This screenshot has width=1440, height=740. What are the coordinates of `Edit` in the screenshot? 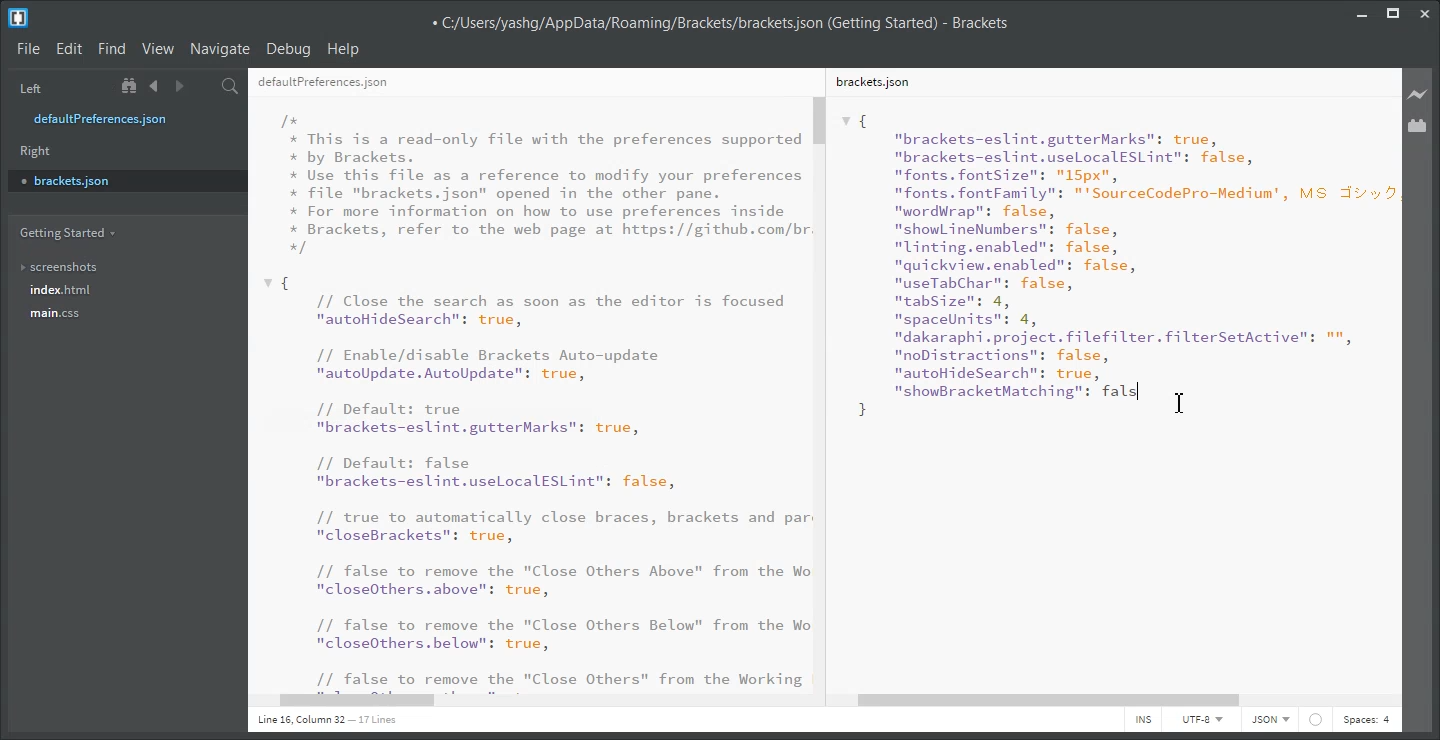 It's located at (69, 49).